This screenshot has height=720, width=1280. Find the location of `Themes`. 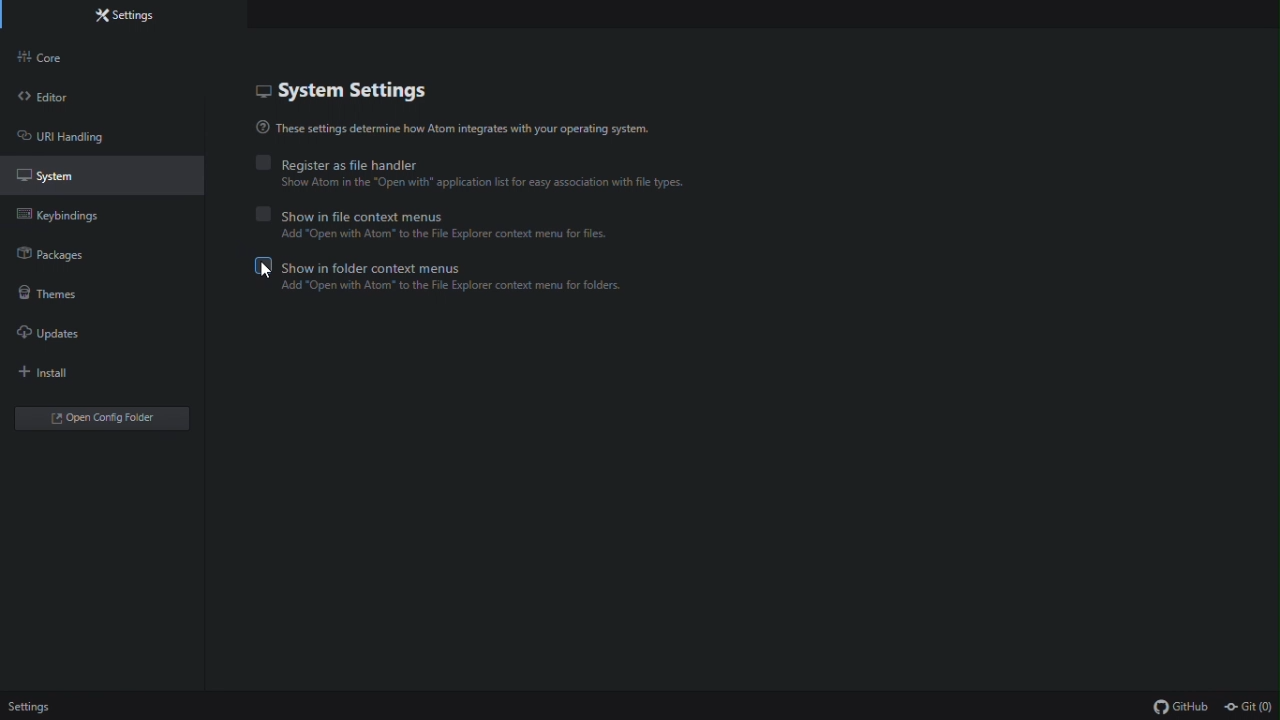

Themes is located at coordinates (106, 293).